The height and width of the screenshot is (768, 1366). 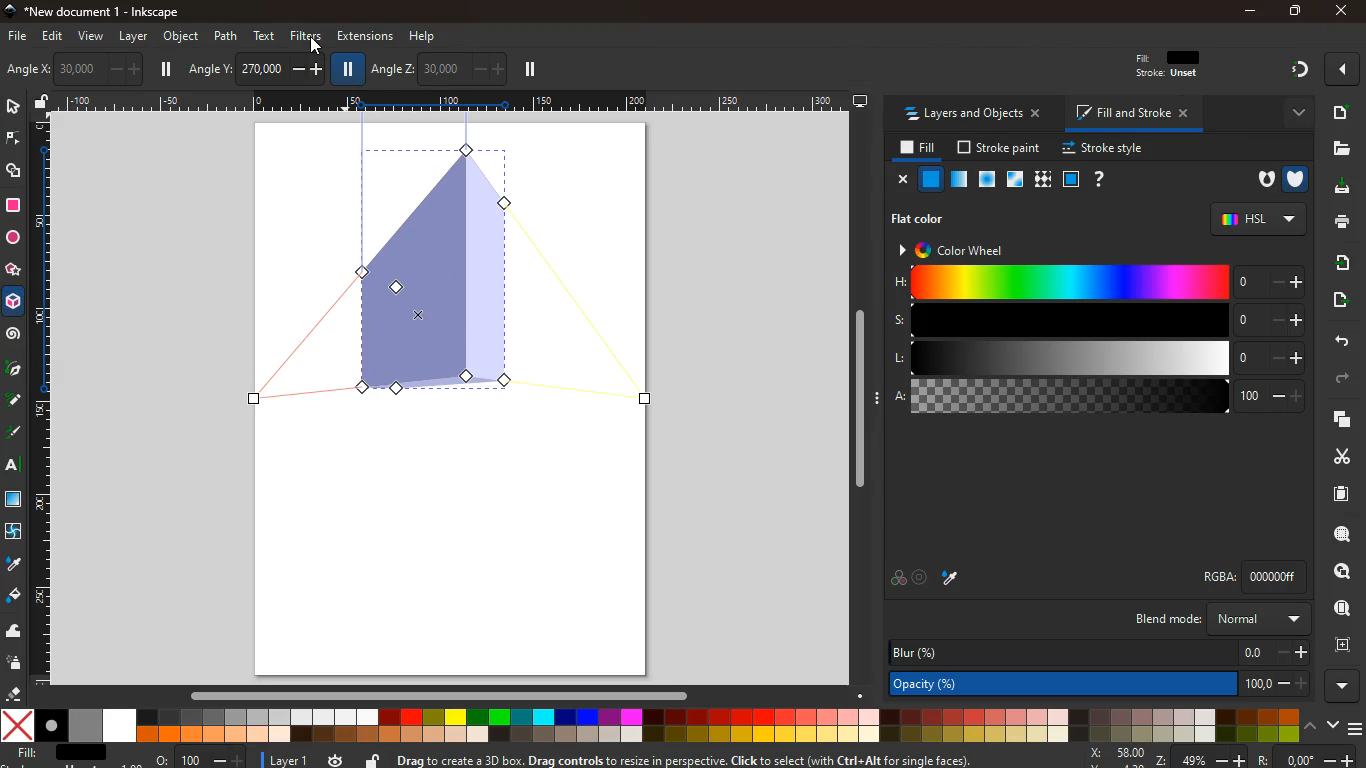 What do you see at coordinates (1336, 609) in the screenshot?
I see `use` at bounding box center [1336, 609].